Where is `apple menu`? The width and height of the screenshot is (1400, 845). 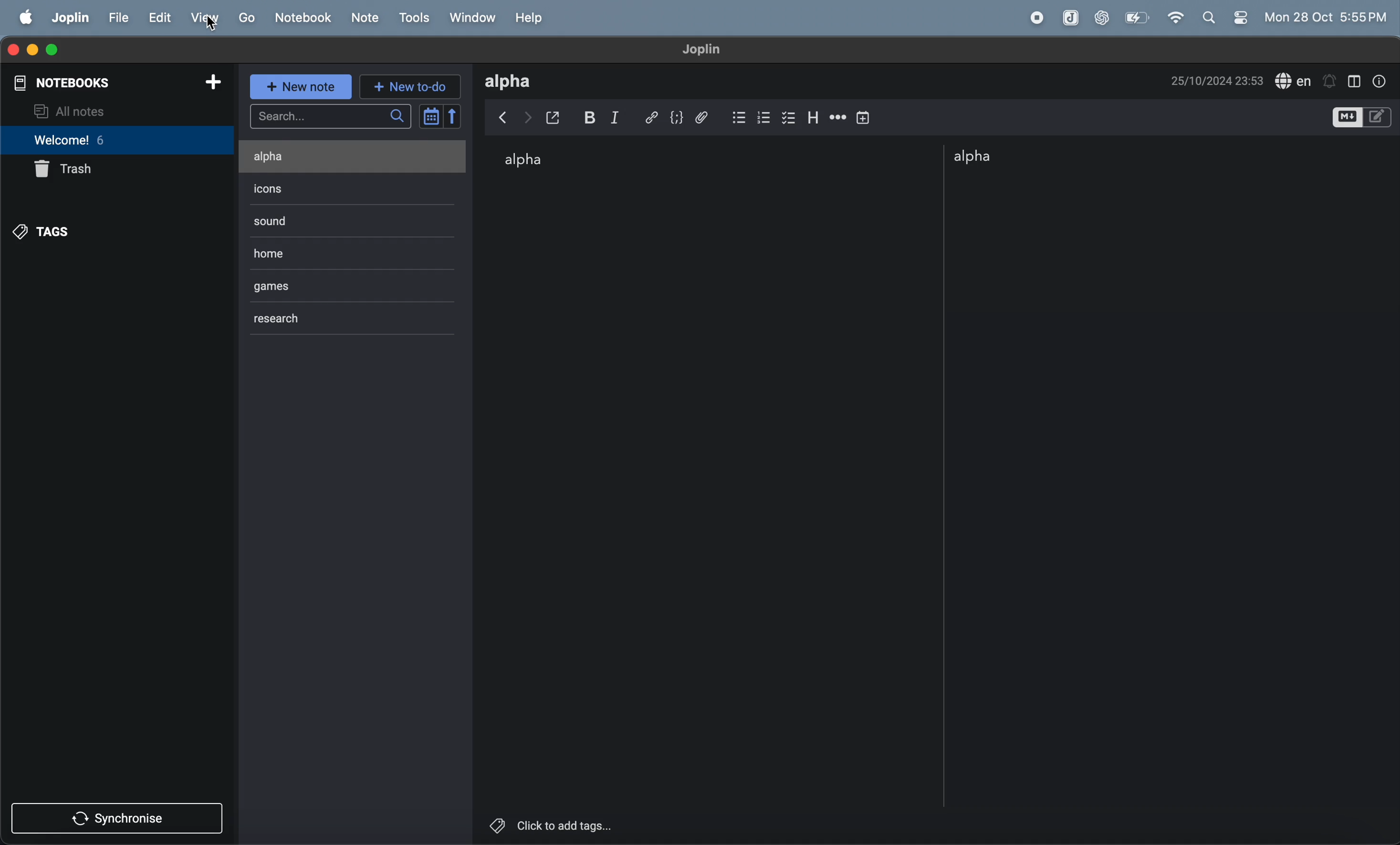 apple menu is located at coordinates (24, 18).